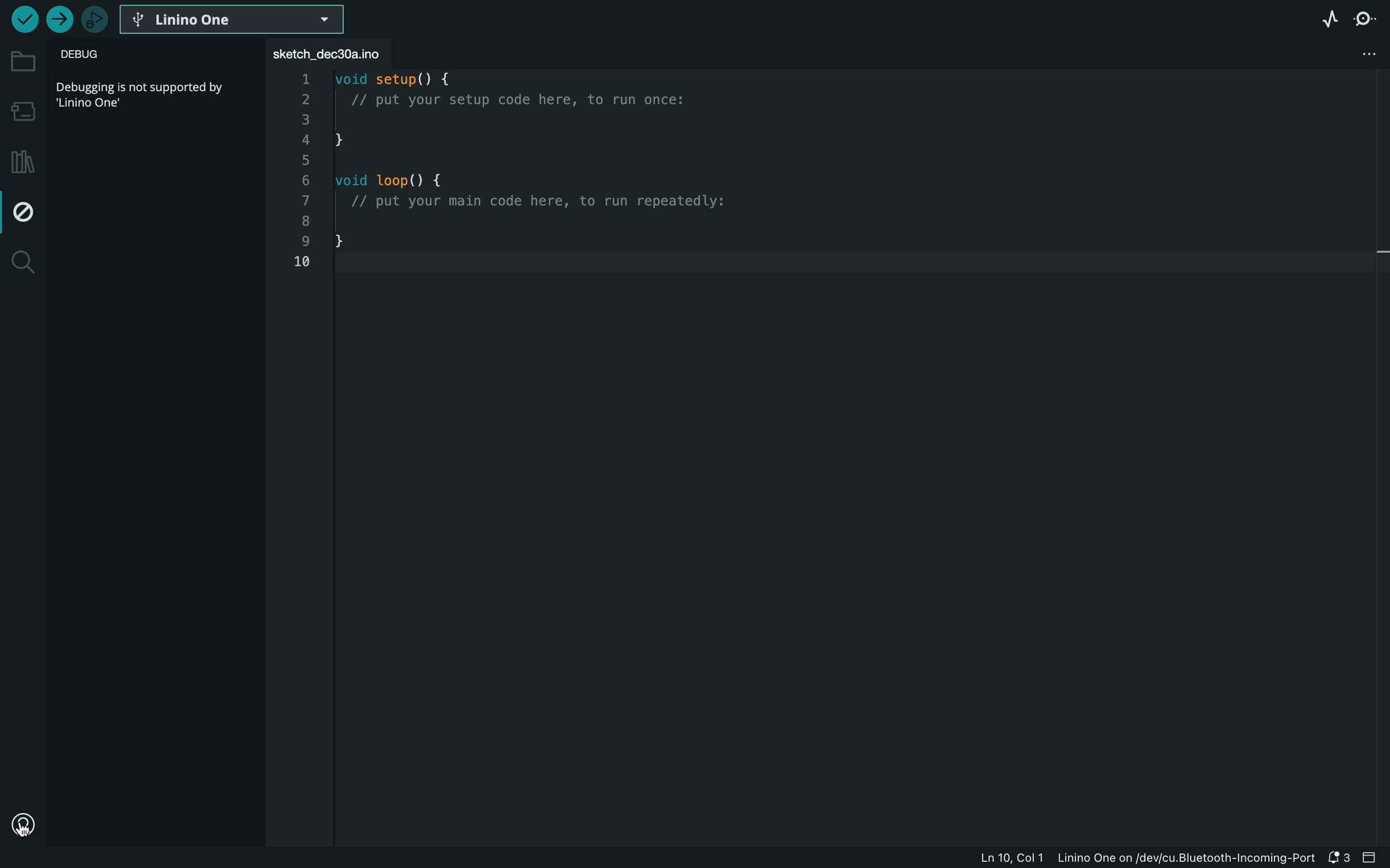 The image size is (1390, 868). Describe the element at coordinates (36, 840) in the screenshot. I see `cursor` at that location.